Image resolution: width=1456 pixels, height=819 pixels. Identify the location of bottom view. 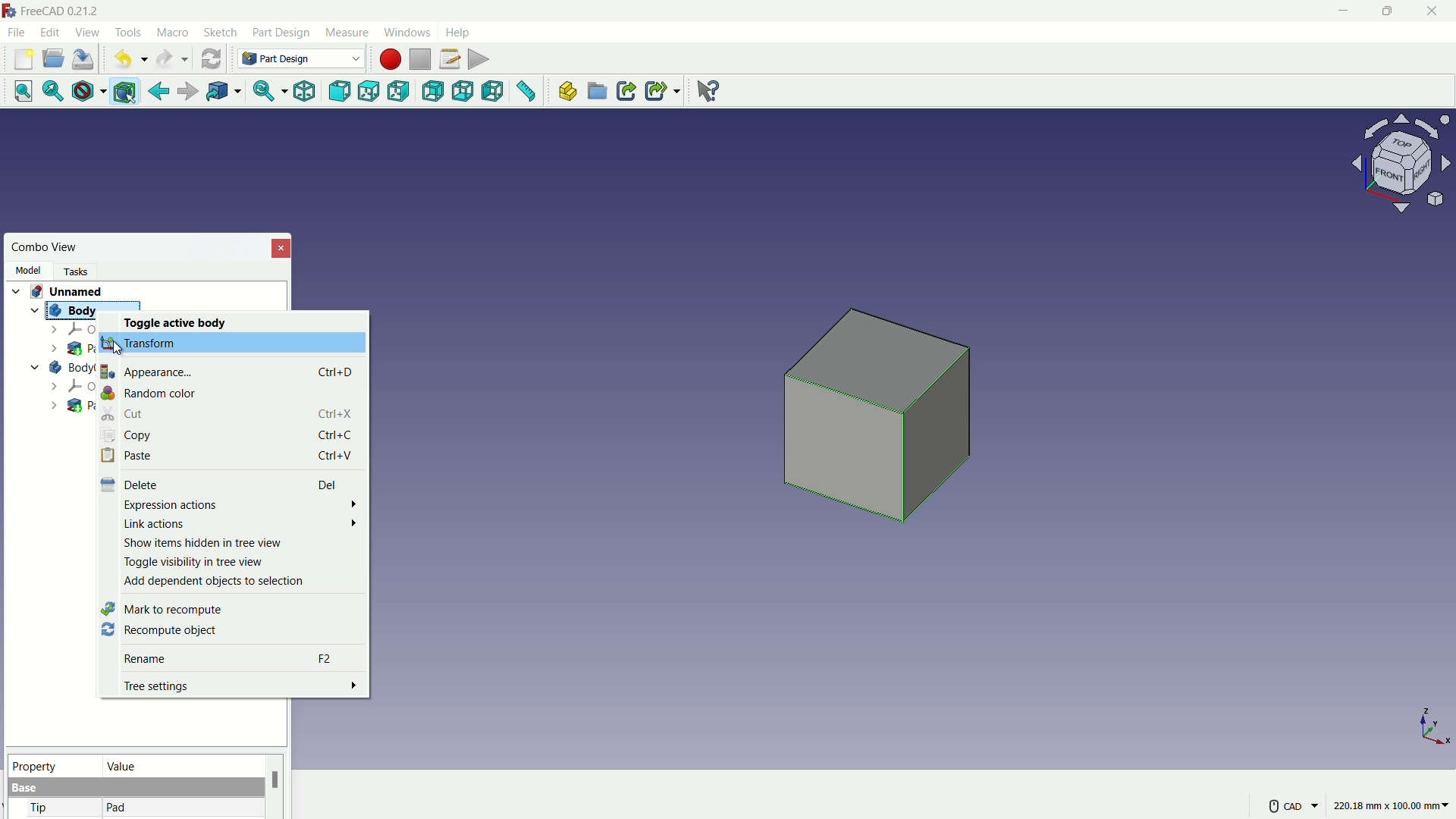
(465, 92).